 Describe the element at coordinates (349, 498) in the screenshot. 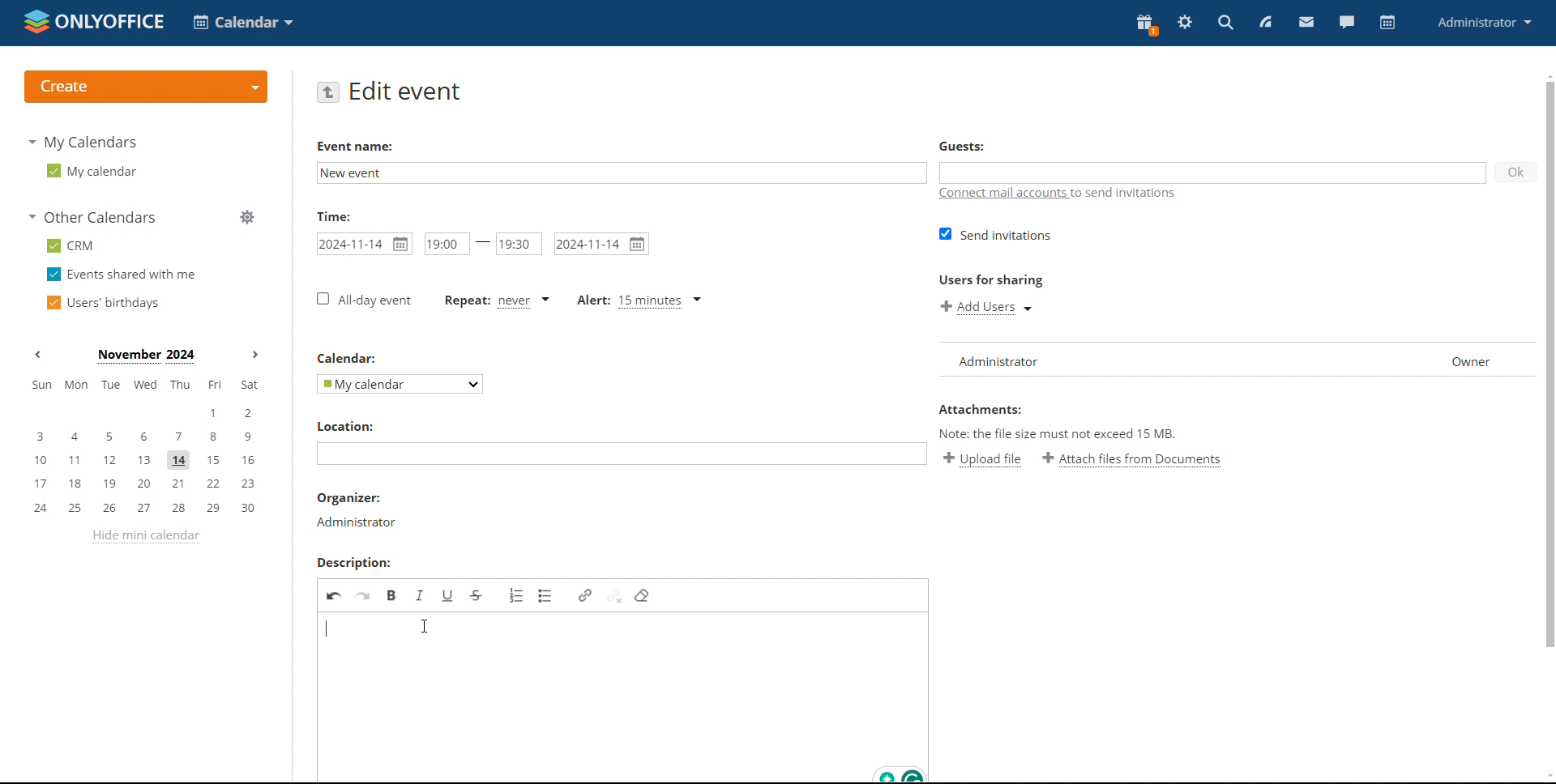

I see `organizer` at that location.